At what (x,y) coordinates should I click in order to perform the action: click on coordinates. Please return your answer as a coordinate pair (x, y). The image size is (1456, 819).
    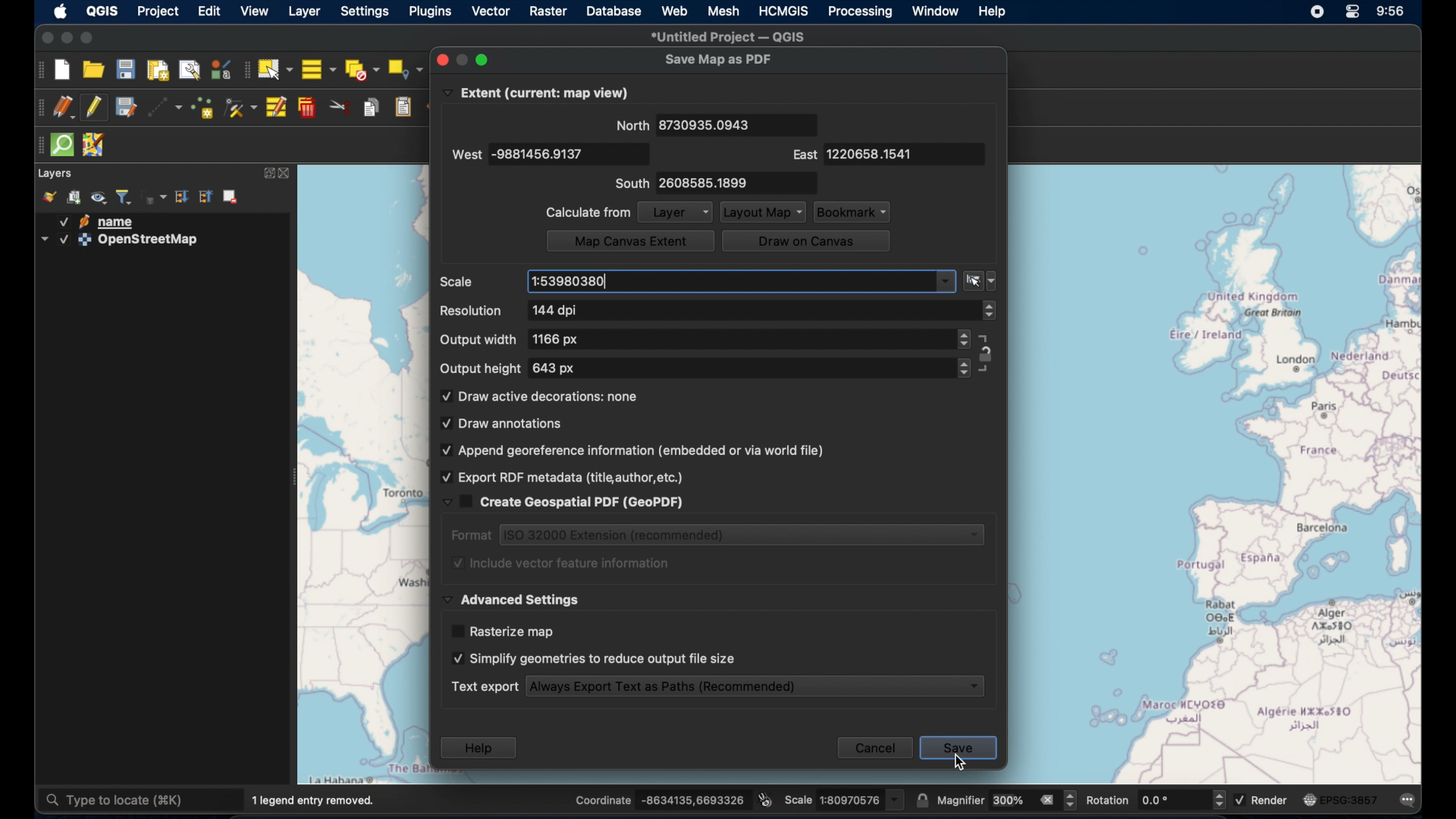
    Looking at the image, I should click on (662, 801).